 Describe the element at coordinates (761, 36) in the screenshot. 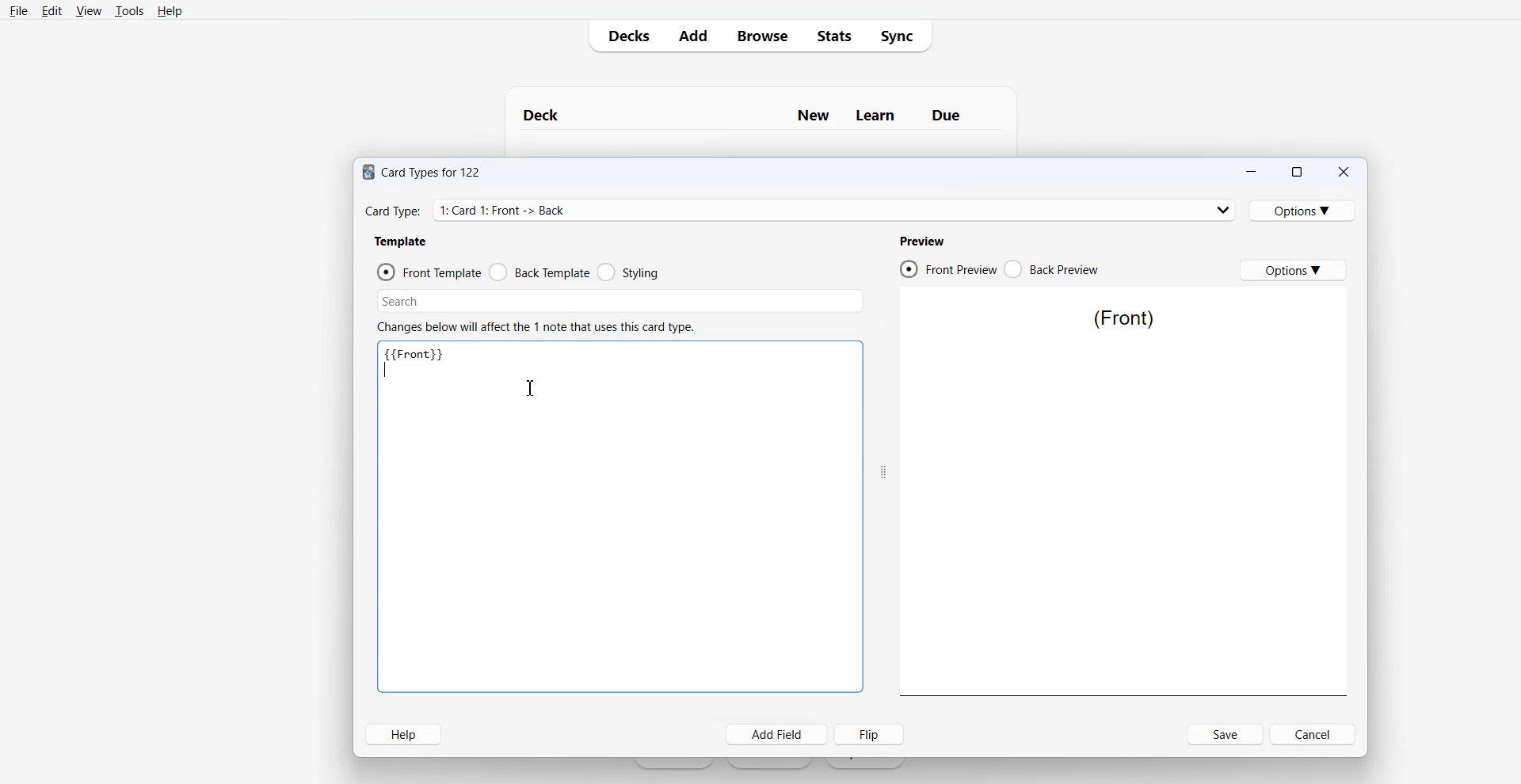

I see `Browser` at that location.